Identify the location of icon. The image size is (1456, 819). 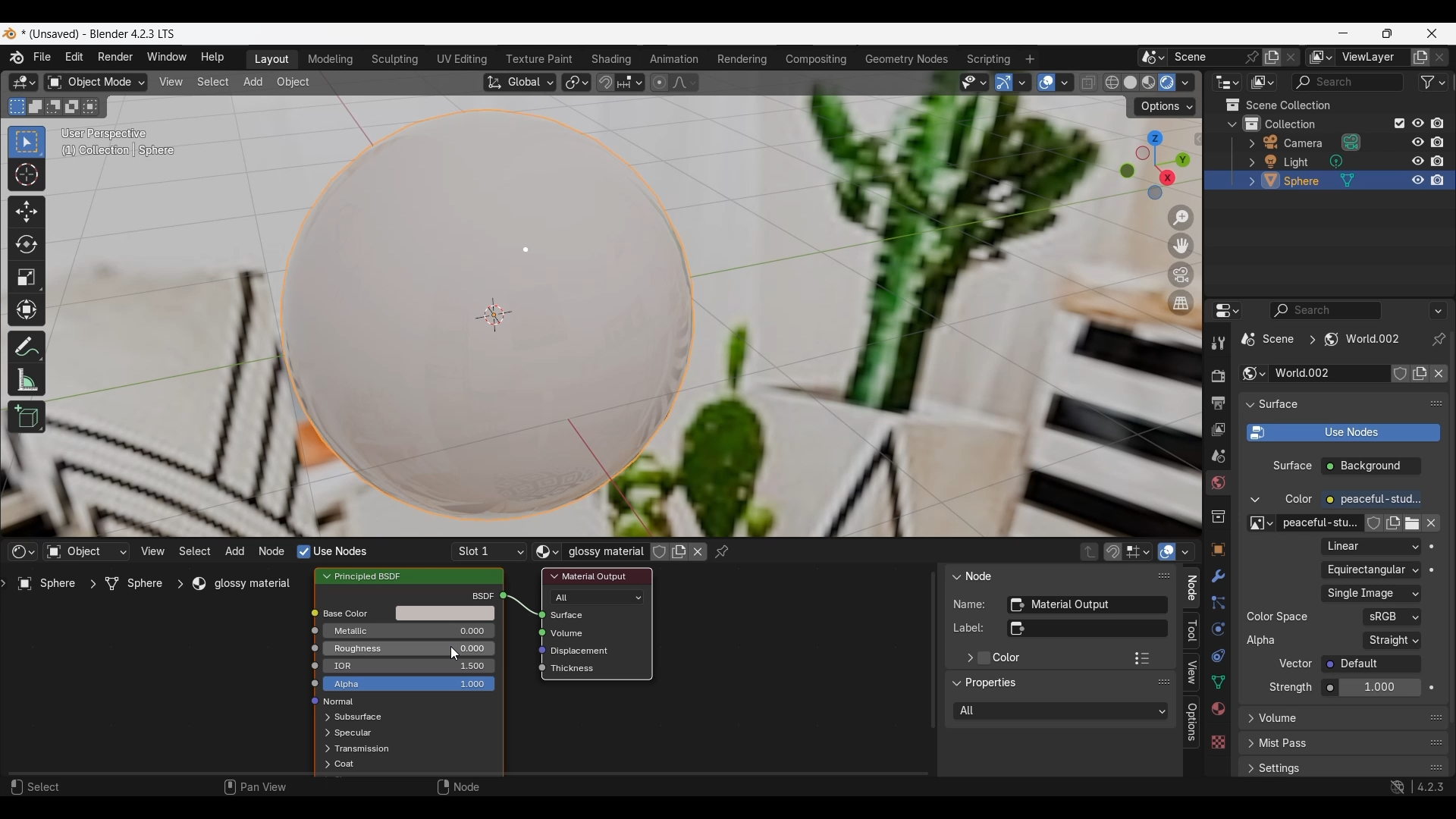
(315, 631).